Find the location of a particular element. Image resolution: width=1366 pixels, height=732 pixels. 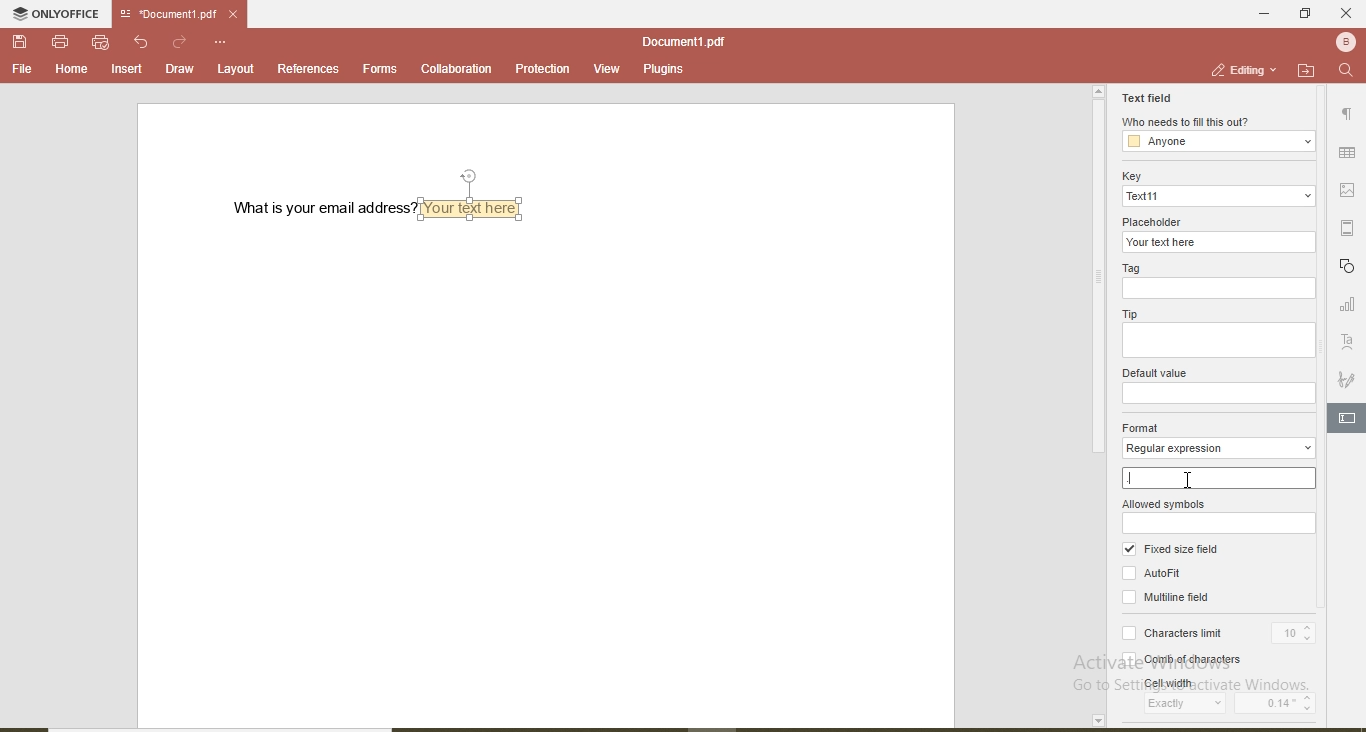

text field  is located at coordinates (1147, 96).